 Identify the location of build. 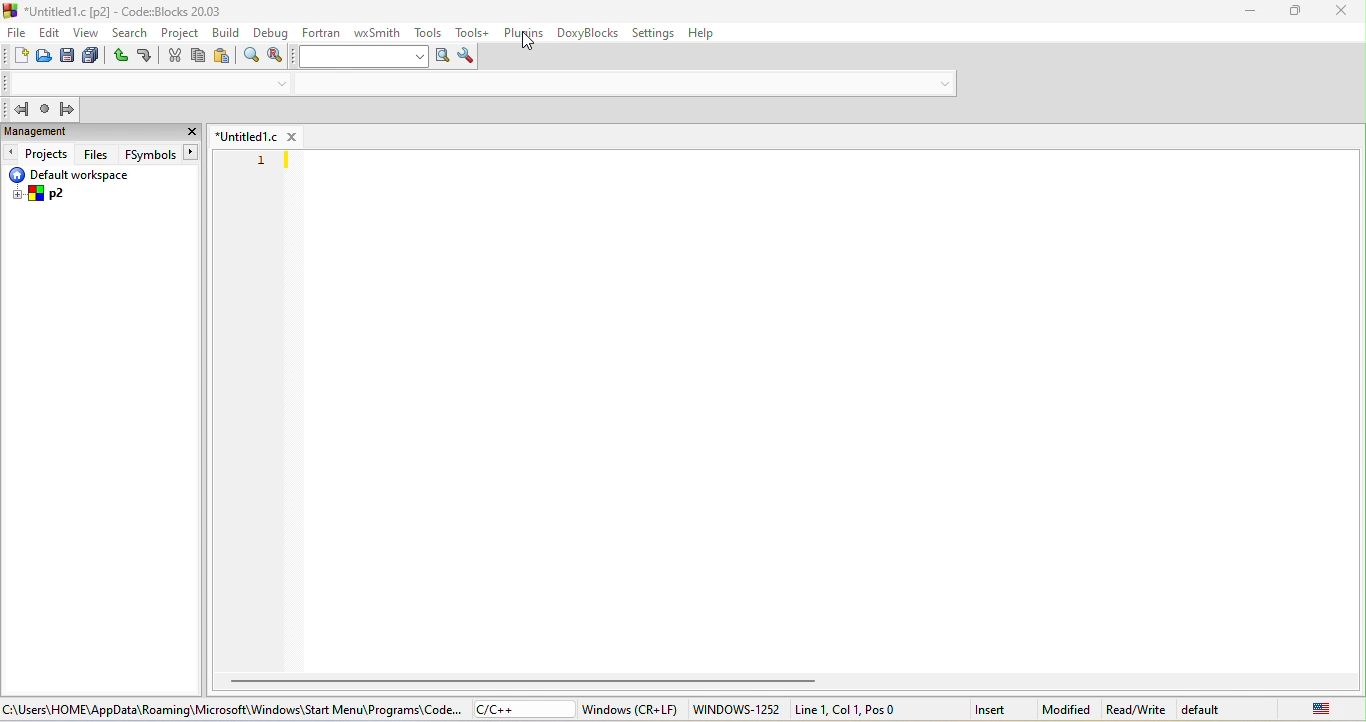
(227, 32).